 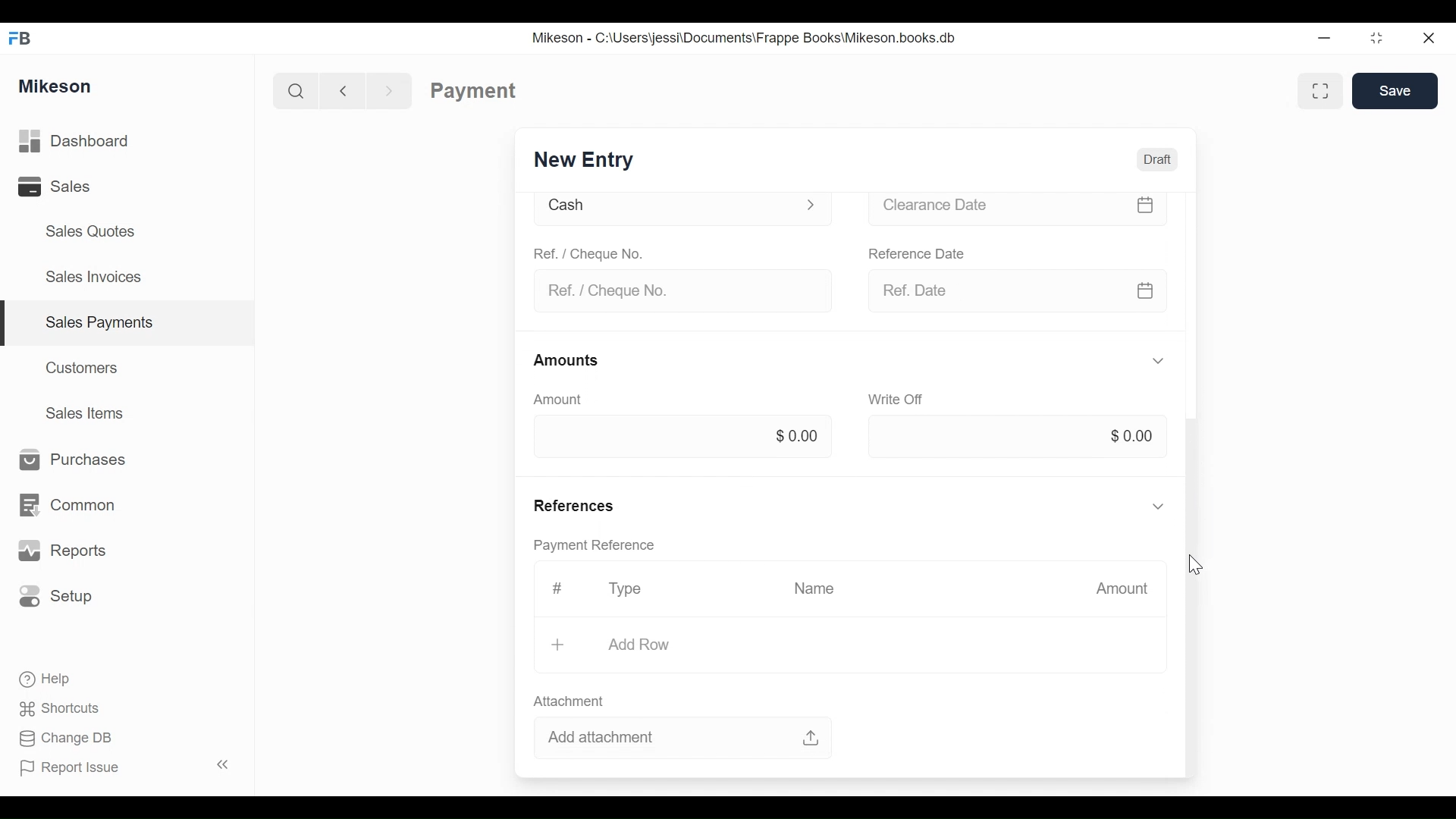 I want to click on Save, so click(x=1398, y=92).